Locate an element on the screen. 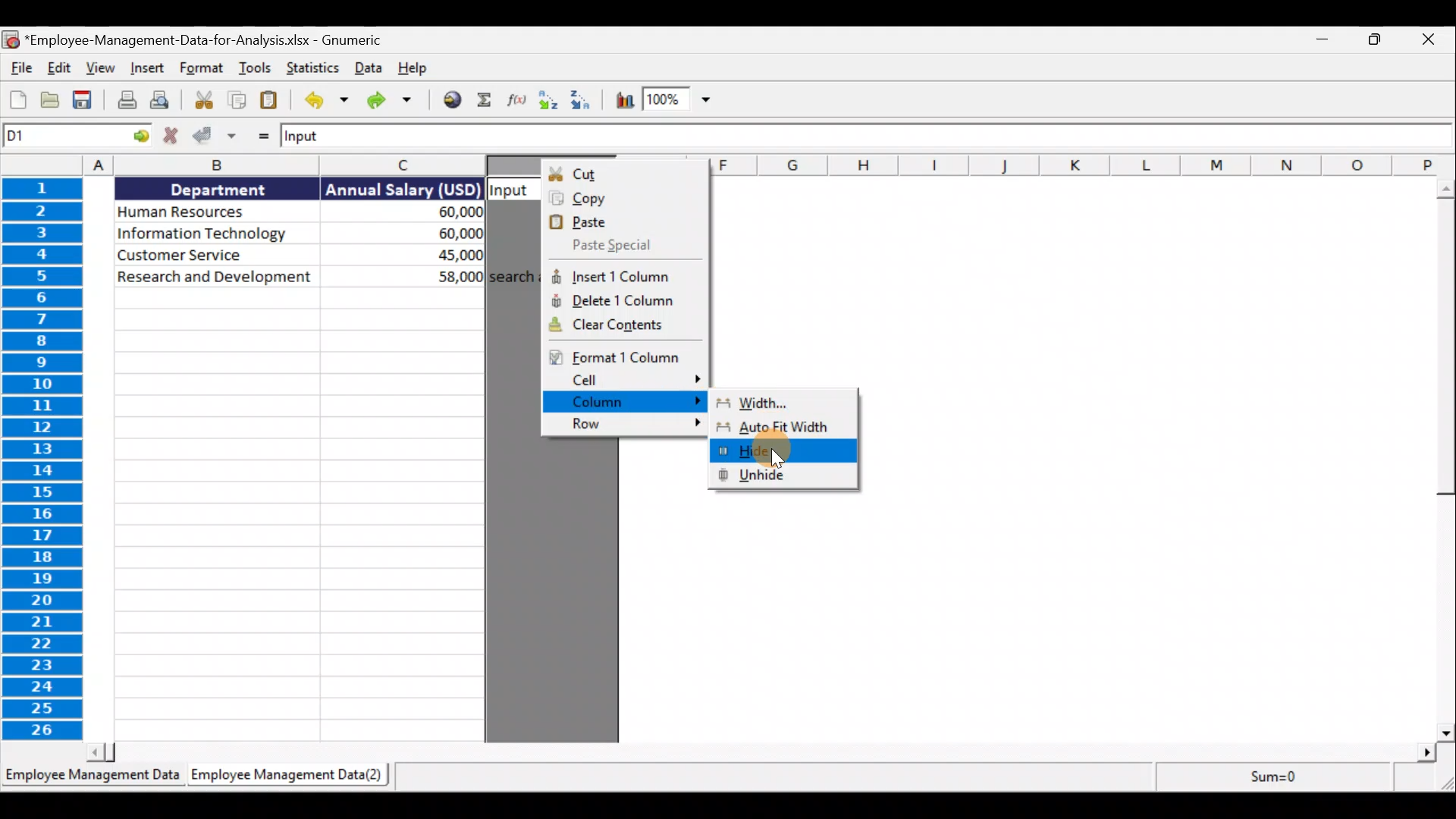 The image size is (1456, 819). Enter formula is located at coordinates (261, 136).